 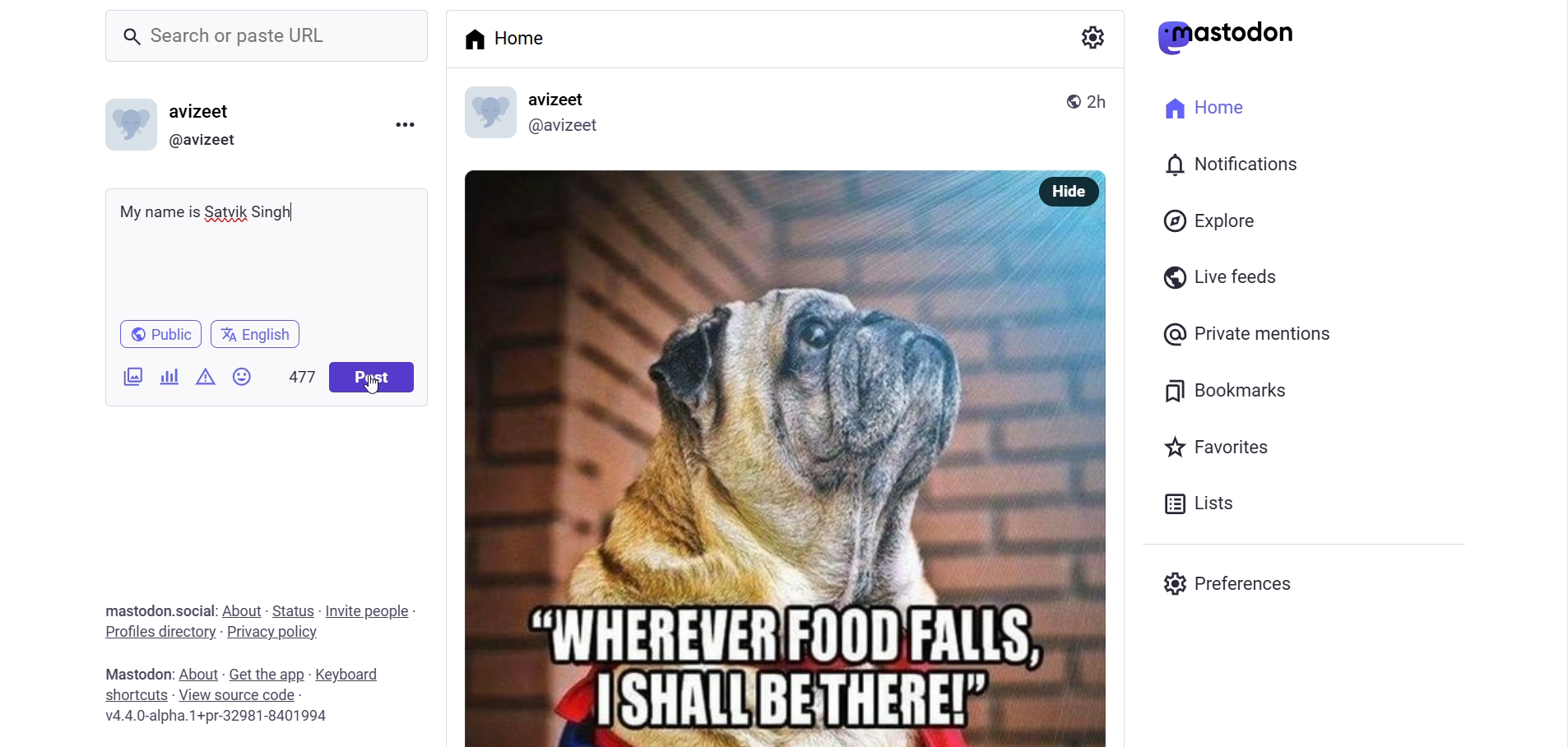 What do you see at coordinates (1090, 44) in the screenshot?
I see `settings` at bounding box center [1090, 44].